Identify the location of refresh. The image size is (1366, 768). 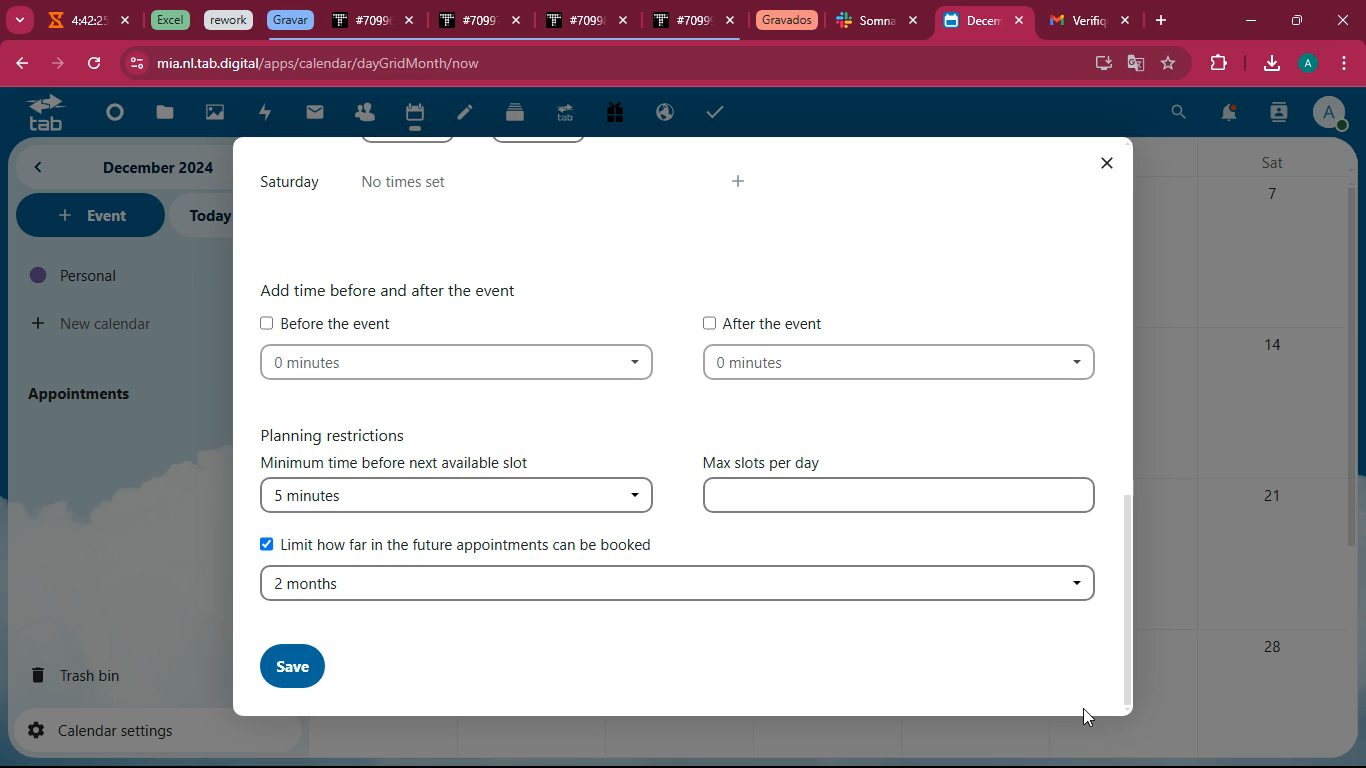
(94, 64).